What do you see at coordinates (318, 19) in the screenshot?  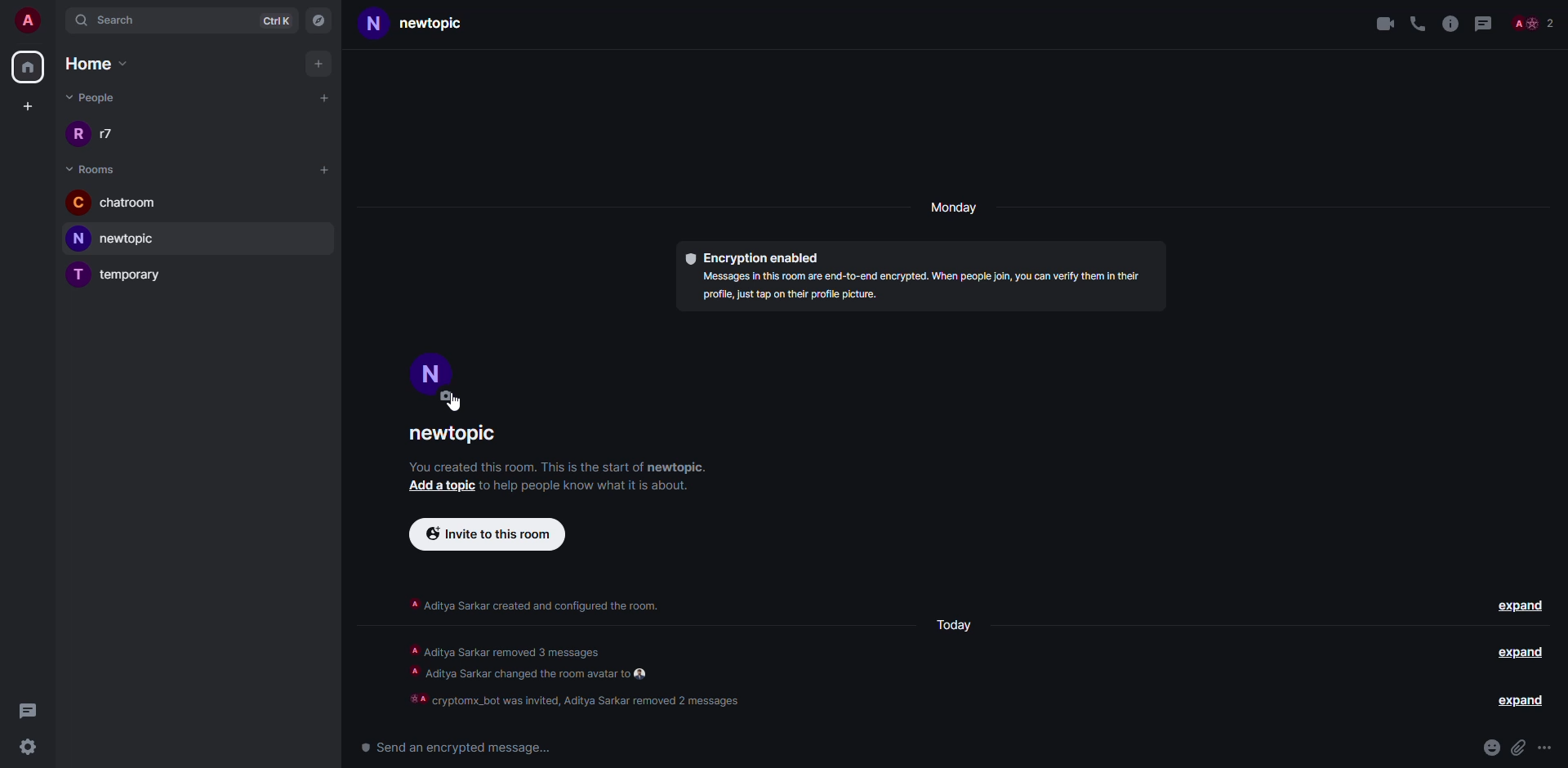 I see `navigator` at bounding box center [318, 19].